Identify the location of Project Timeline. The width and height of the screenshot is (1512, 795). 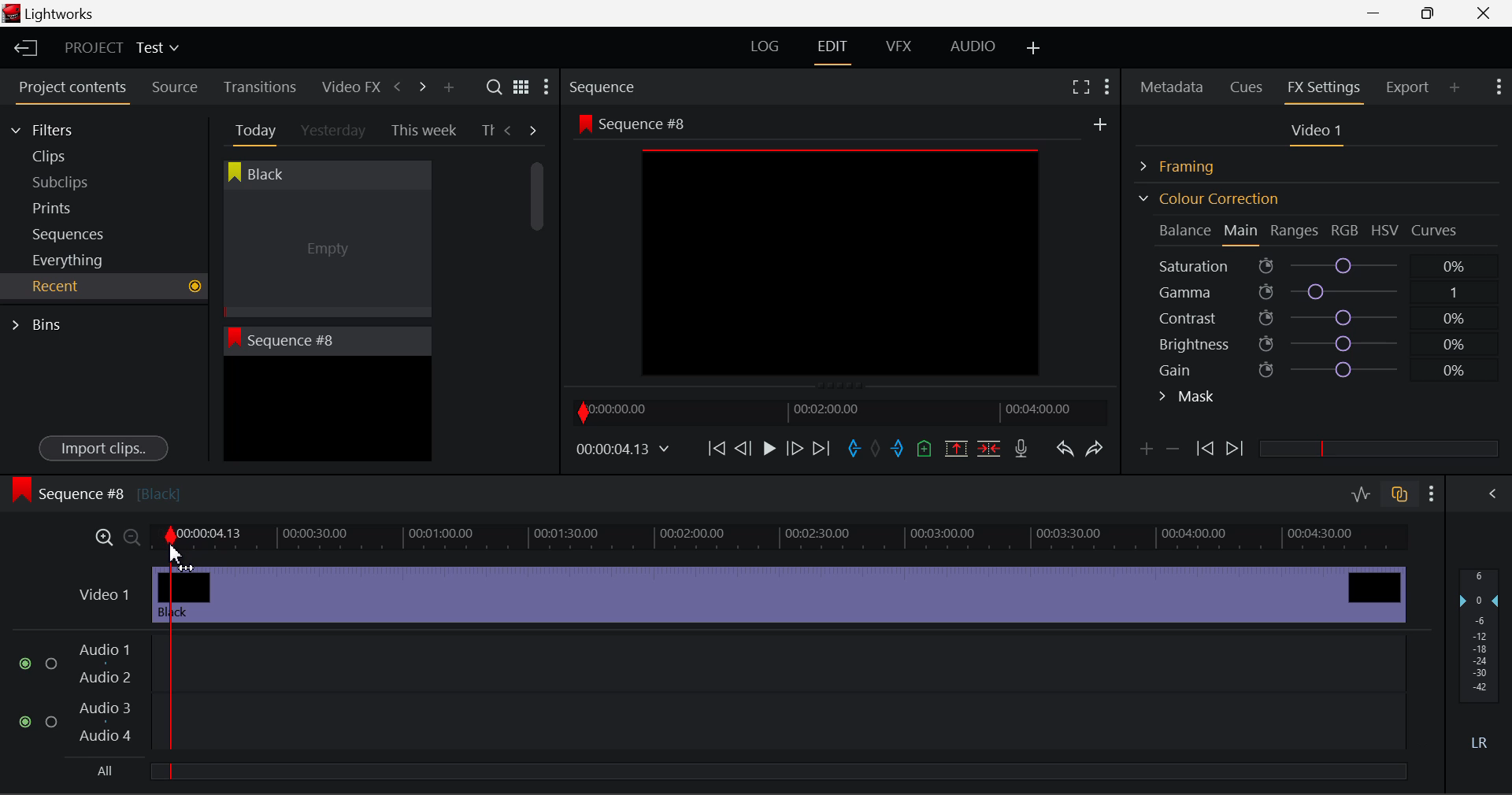
(784, 535).